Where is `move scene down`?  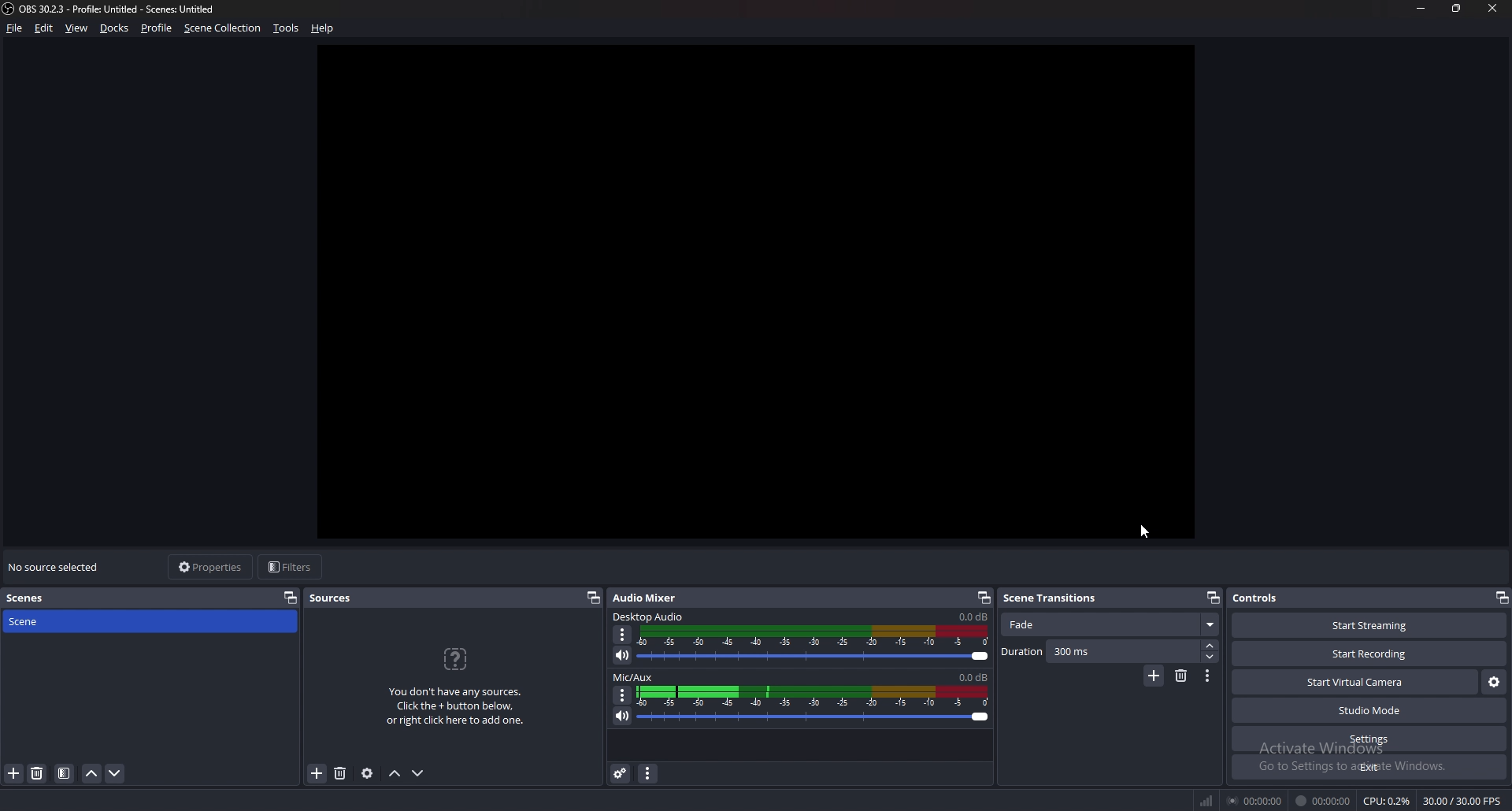
move scene down is located at coordinates (115, 774).